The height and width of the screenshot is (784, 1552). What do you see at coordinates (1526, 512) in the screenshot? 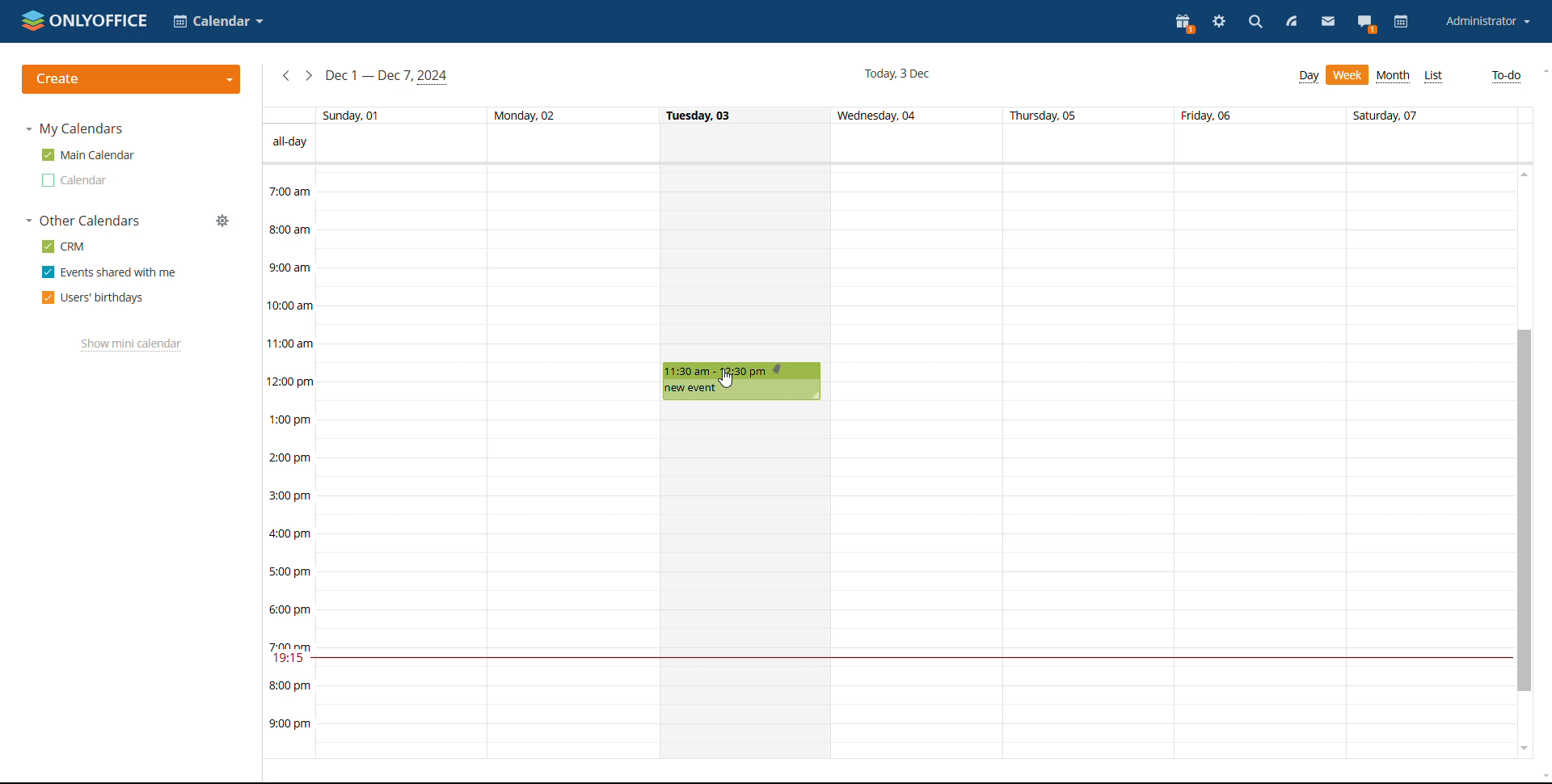
I see `scrollbar` at bounding box center [1526, 512].